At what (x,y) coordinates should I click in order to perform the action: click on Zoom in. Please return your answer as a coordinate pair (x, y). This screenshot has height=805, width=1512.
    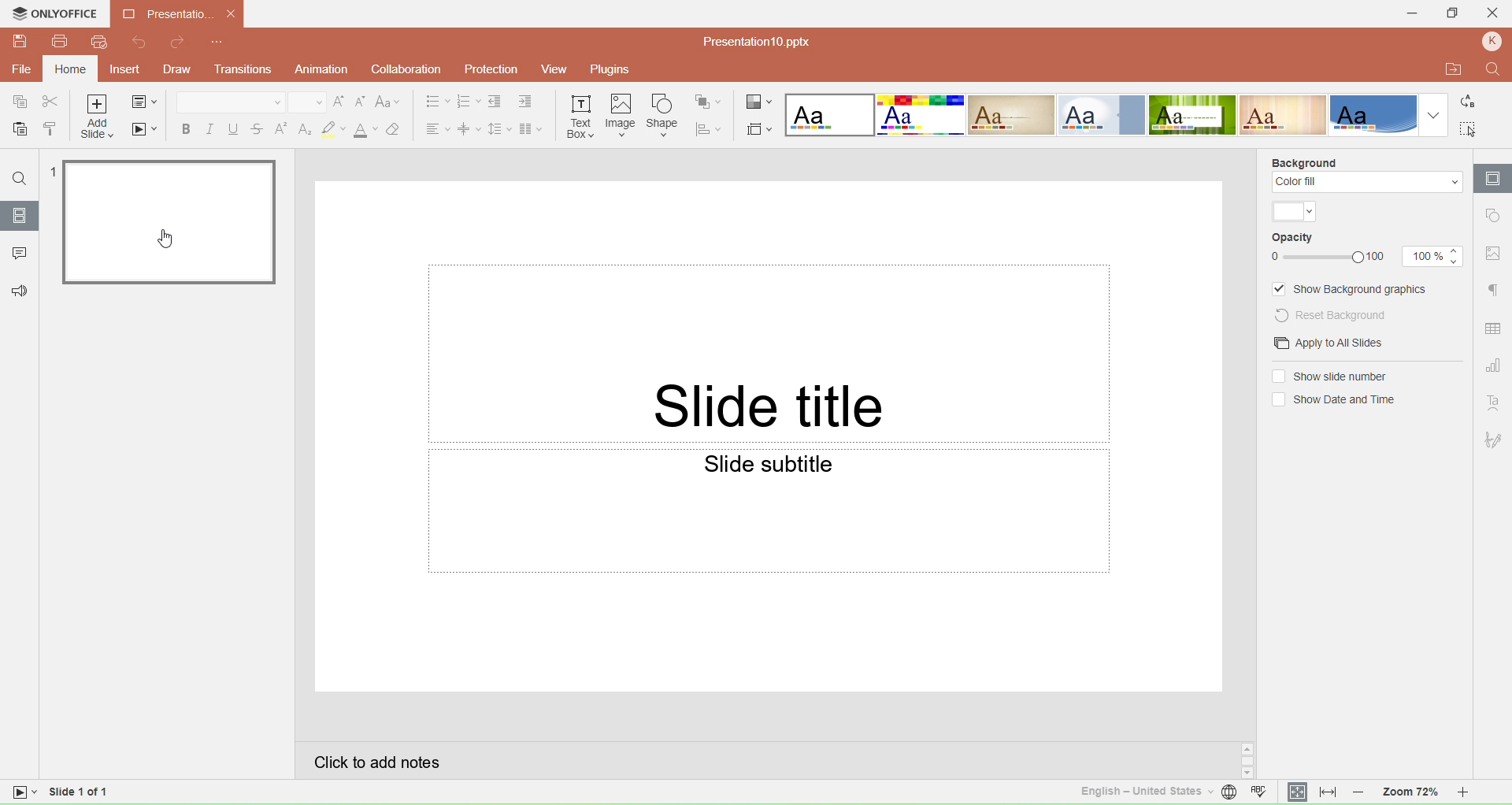
    Looking at the image, I should click on (1474, 793).